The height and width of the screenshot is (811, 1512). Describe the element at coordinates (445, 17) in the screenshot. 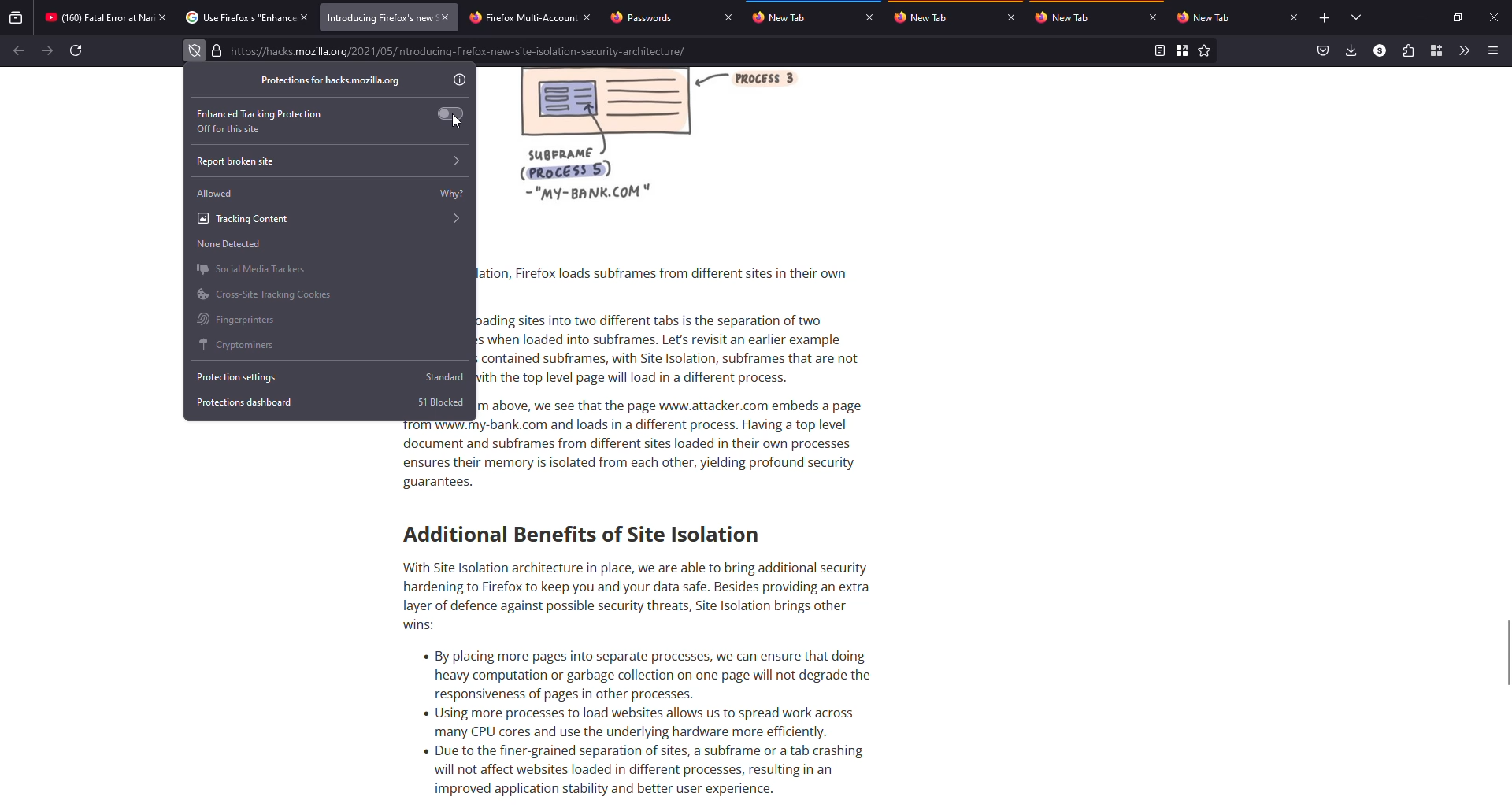

I see `close` at that location.